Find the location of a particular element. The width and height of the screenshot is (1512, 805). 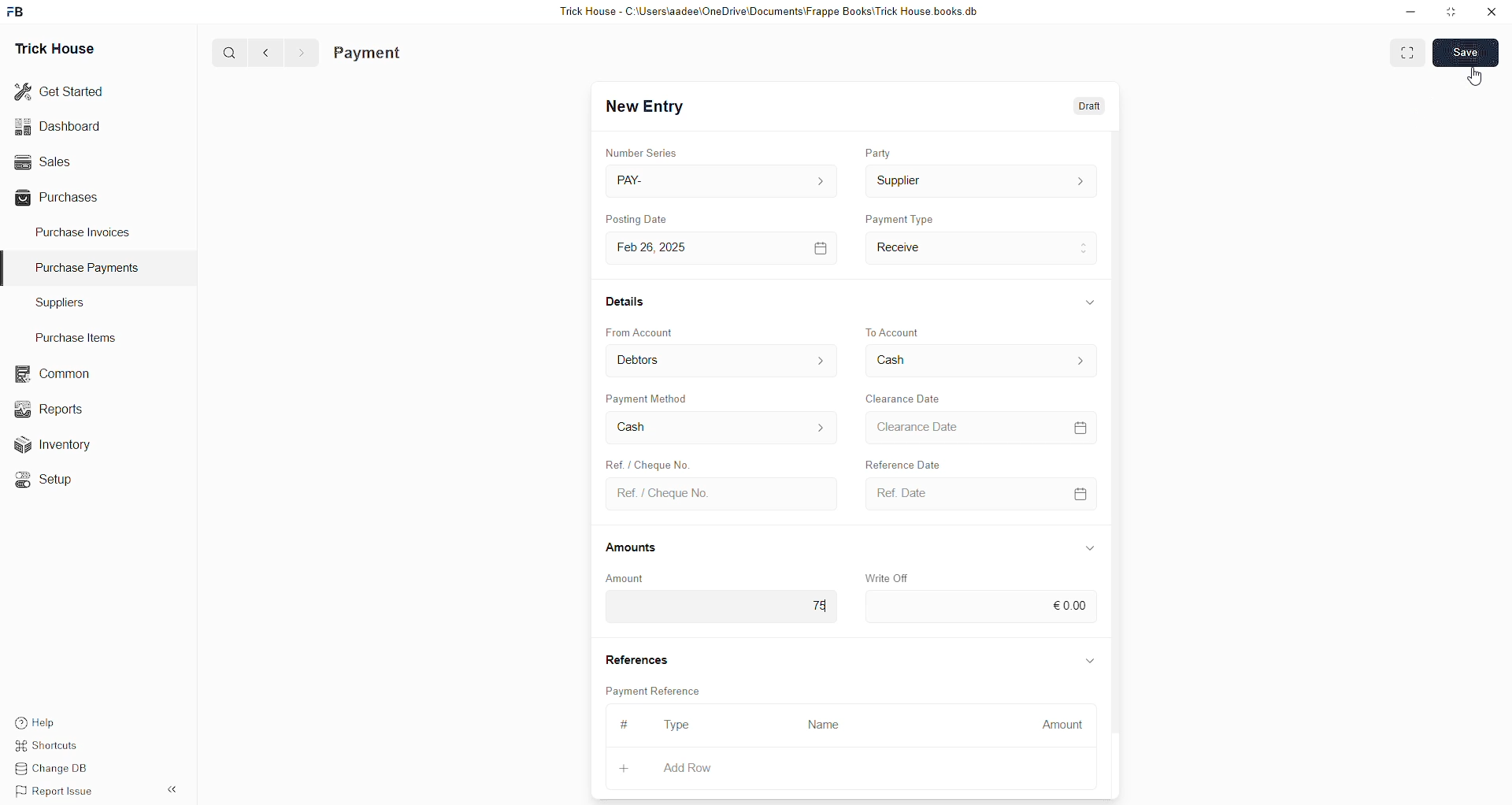

frappebooks logo is located at coordinates (17, 9).